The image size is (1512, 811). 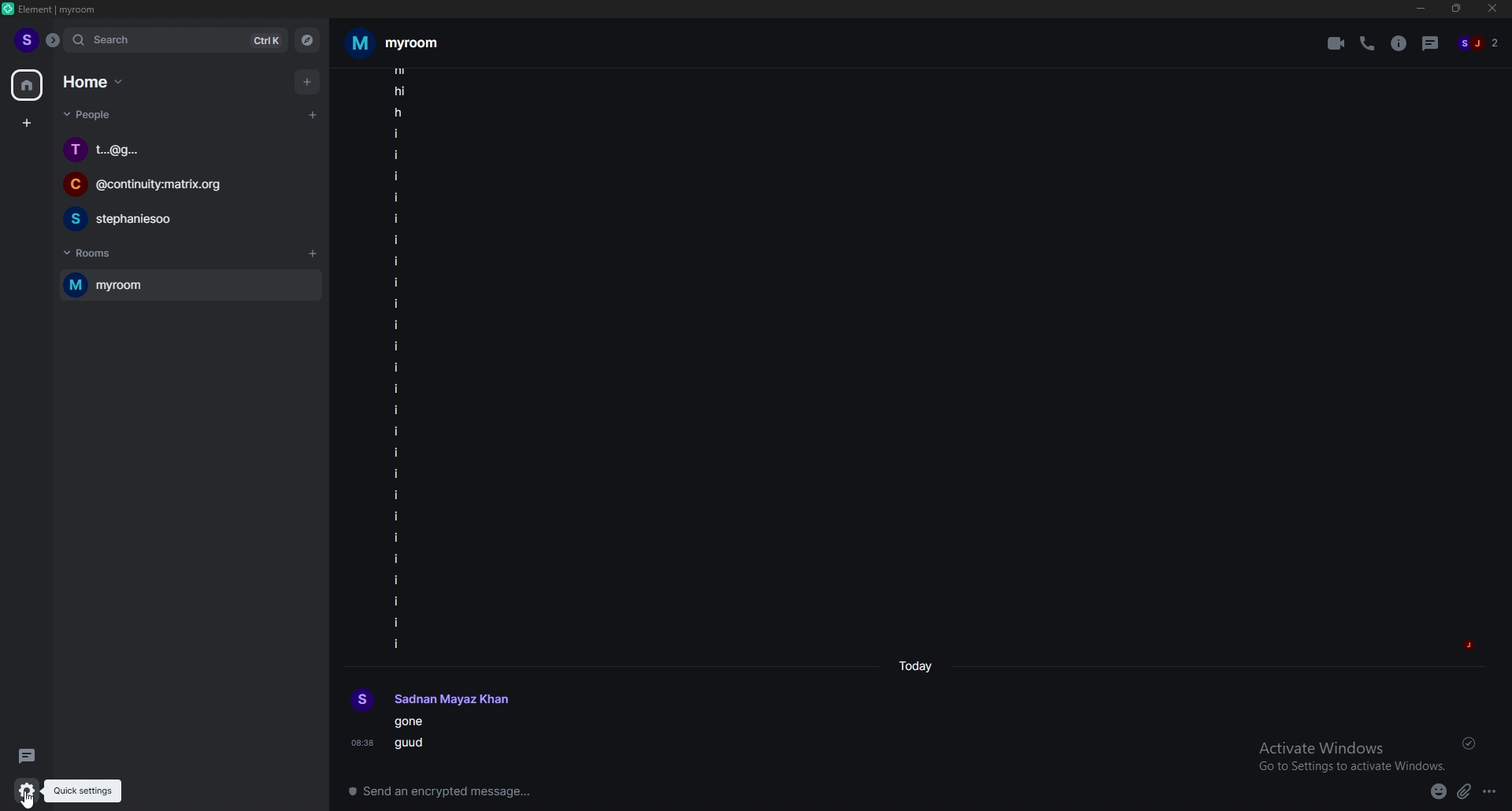 I want to click on chat, so click(x=186, y=218).